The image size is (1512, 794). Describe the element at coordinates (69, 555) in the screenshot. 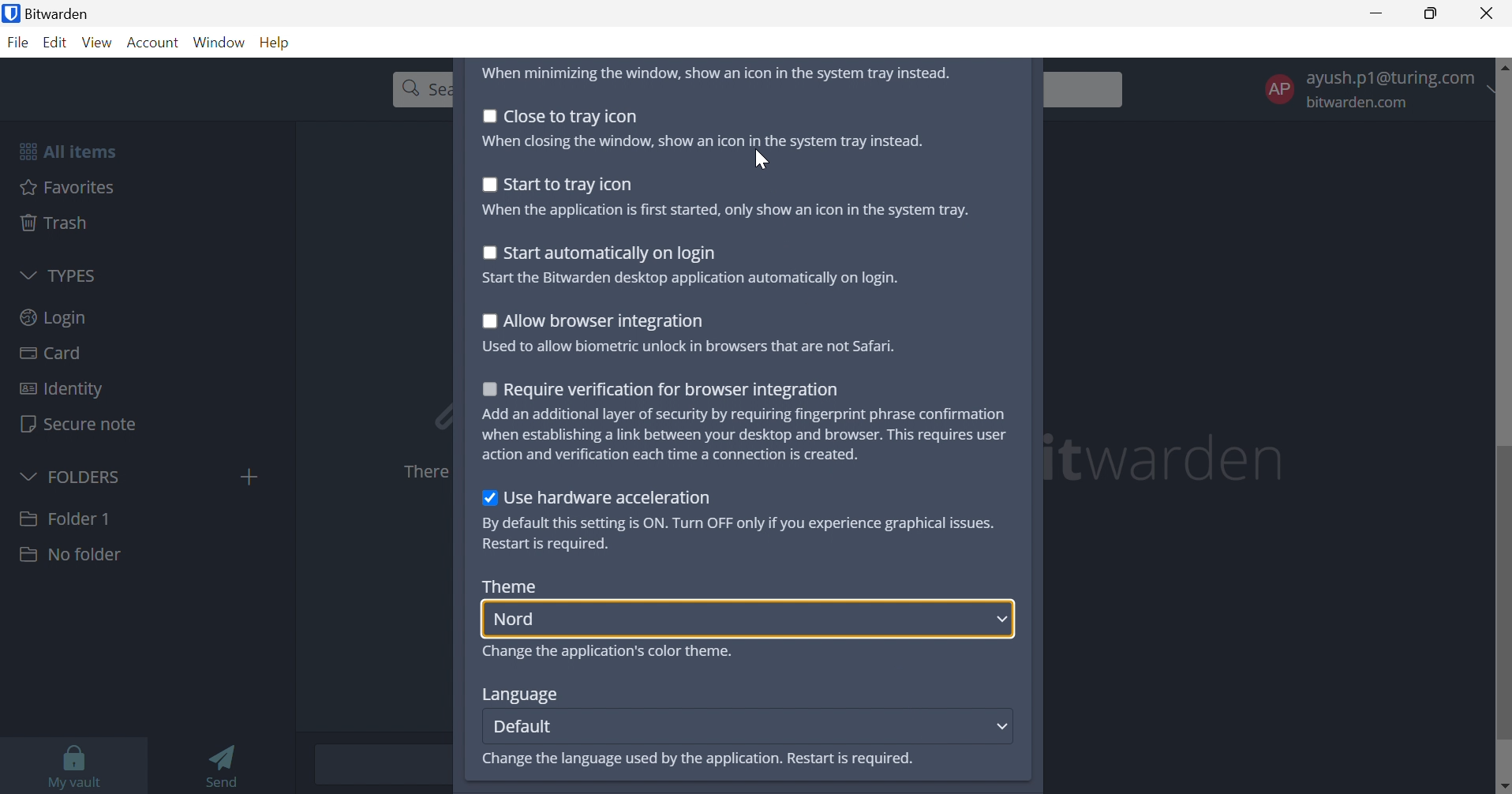

I see `No folder` at that location.